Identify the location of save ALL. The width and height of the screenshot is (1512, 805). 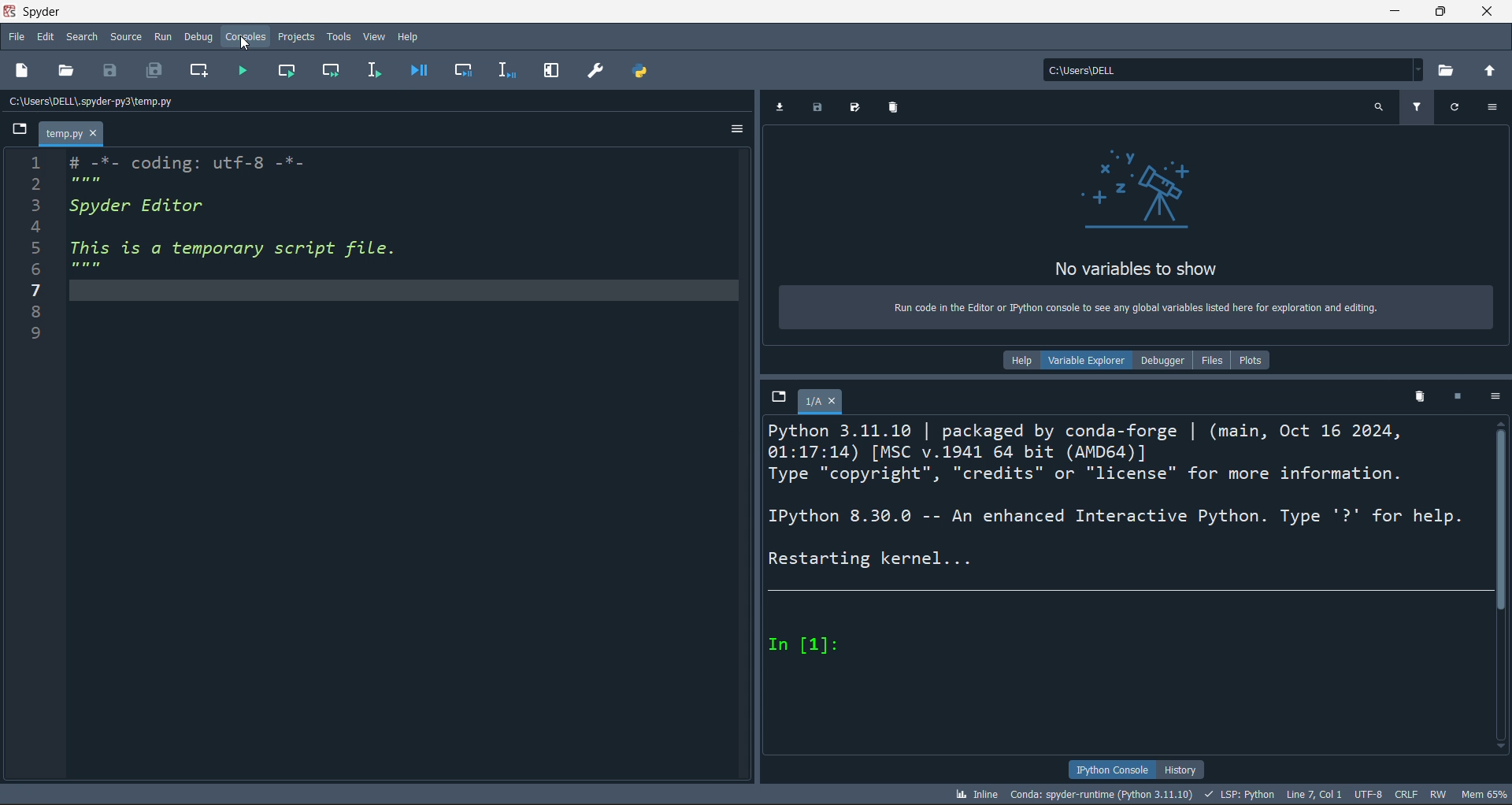
(154, 72).